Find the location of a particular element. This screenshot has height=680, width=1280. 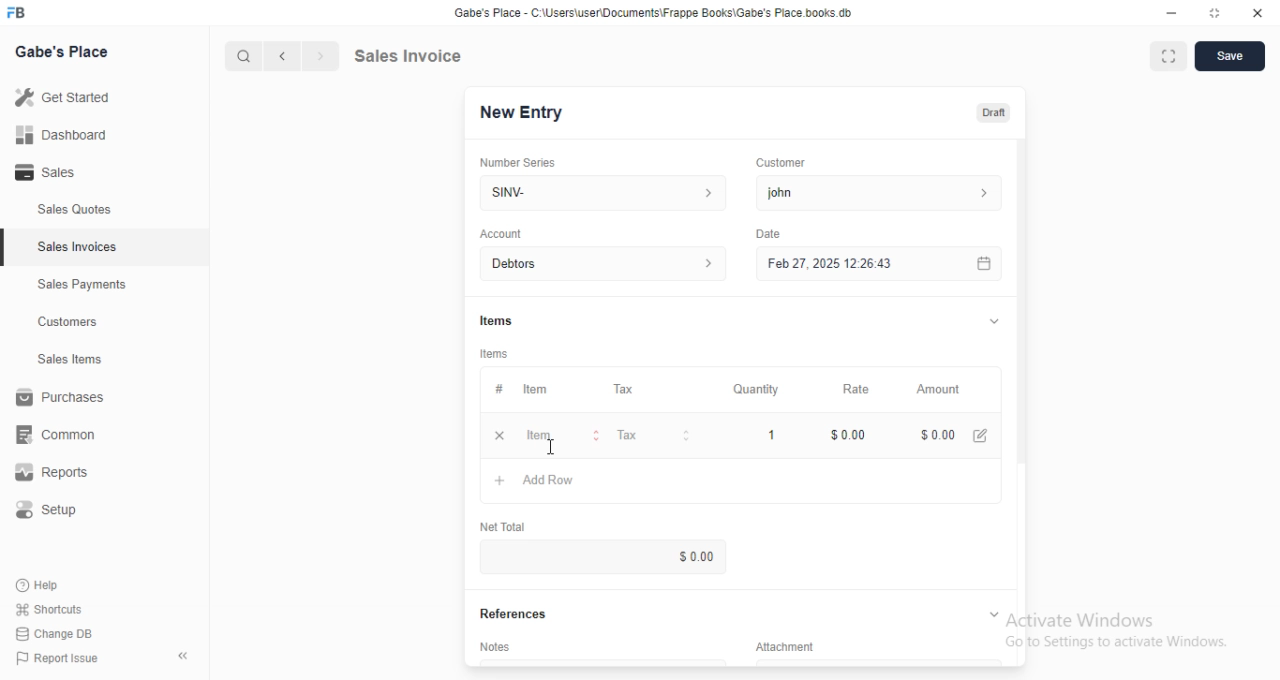

Cursor is located at coordinates (549, 441).